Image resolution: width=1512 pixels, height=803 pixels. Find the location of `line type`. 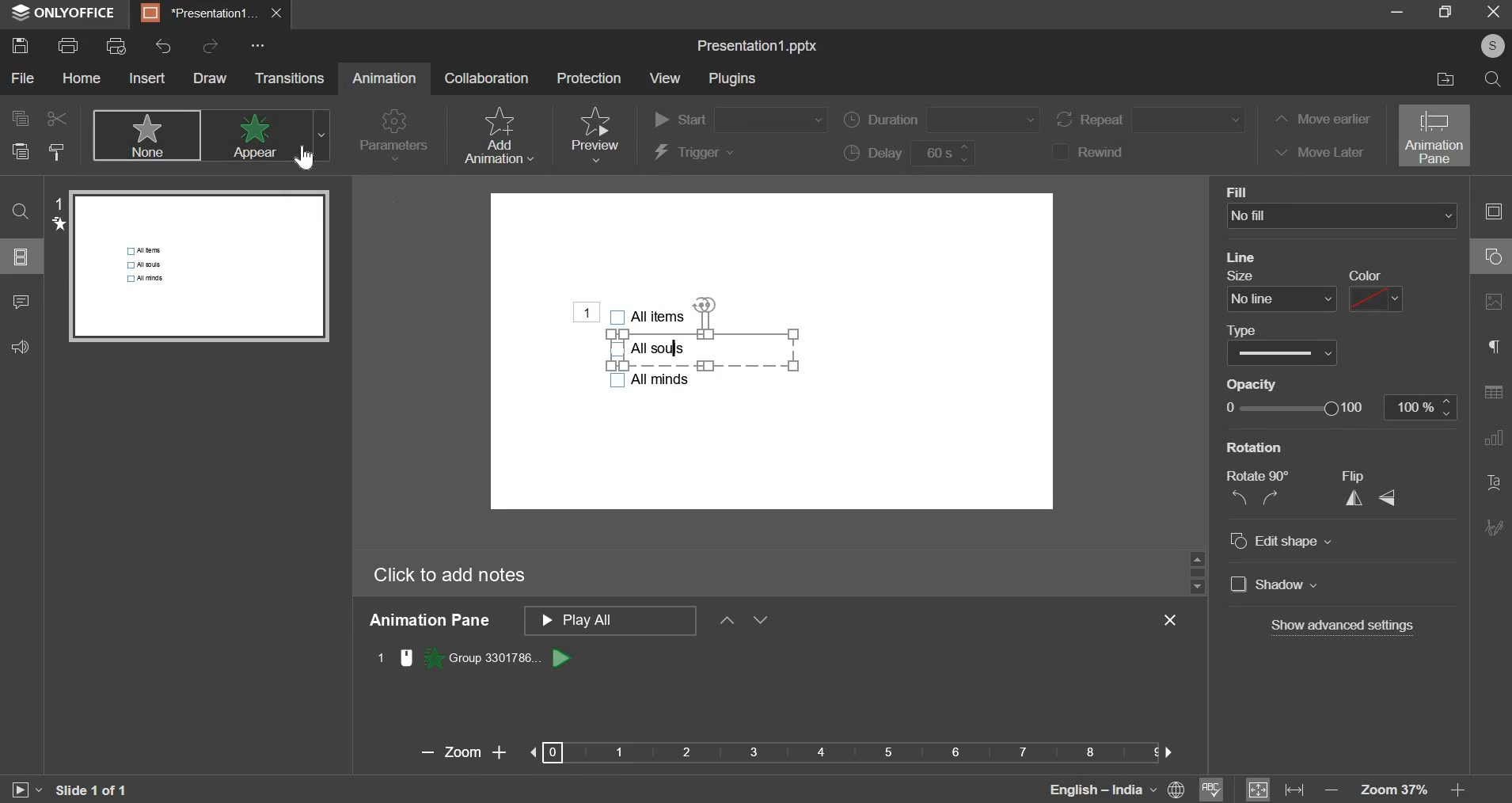

line type is located at coordinates (1282, 352).